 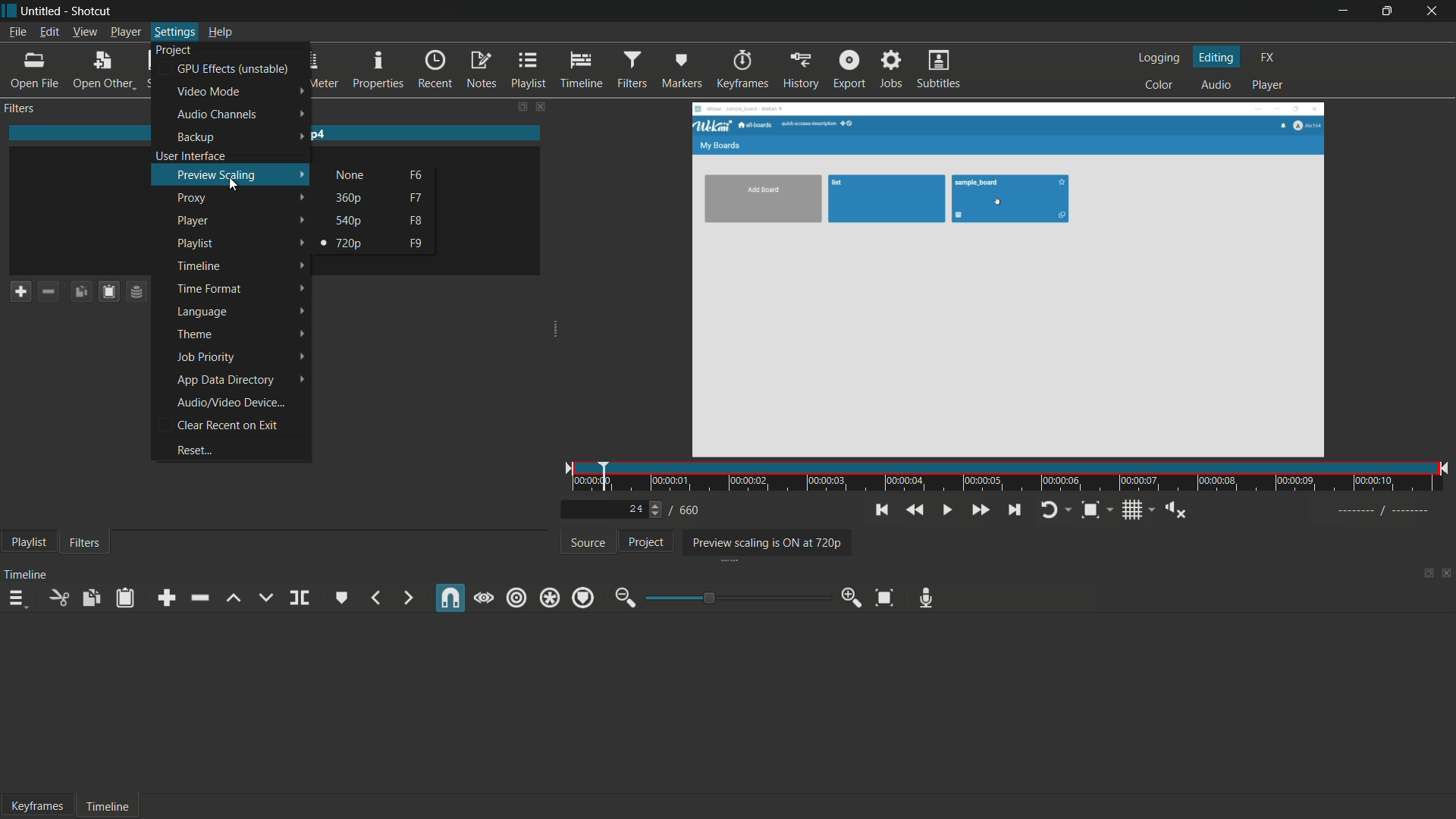 I want to click on filters, so click(x=632, y=69).